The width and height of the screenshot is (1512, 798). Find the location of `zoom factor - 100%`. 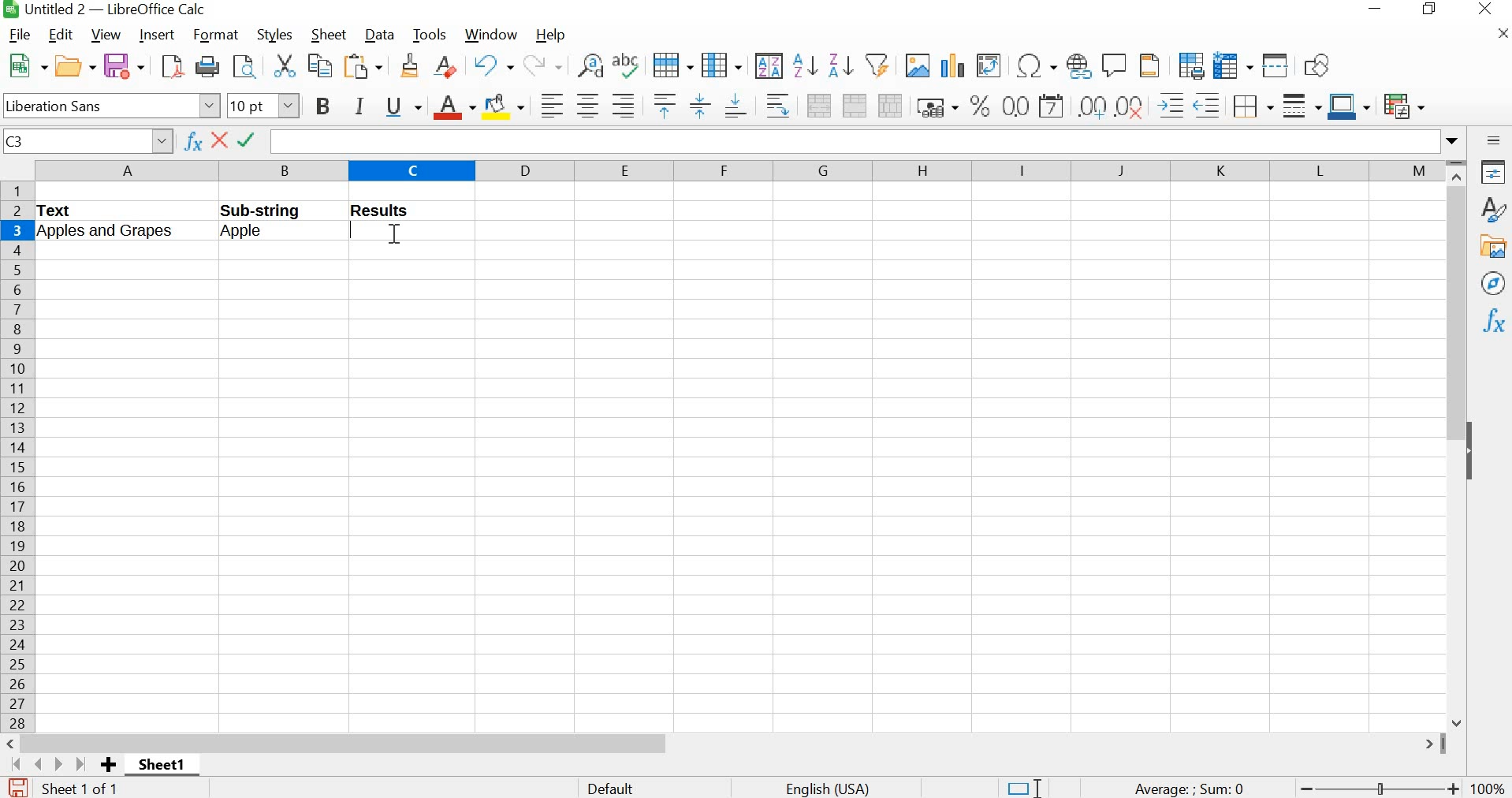

zoom factor - 100% is located at coordinates (1489, 789).